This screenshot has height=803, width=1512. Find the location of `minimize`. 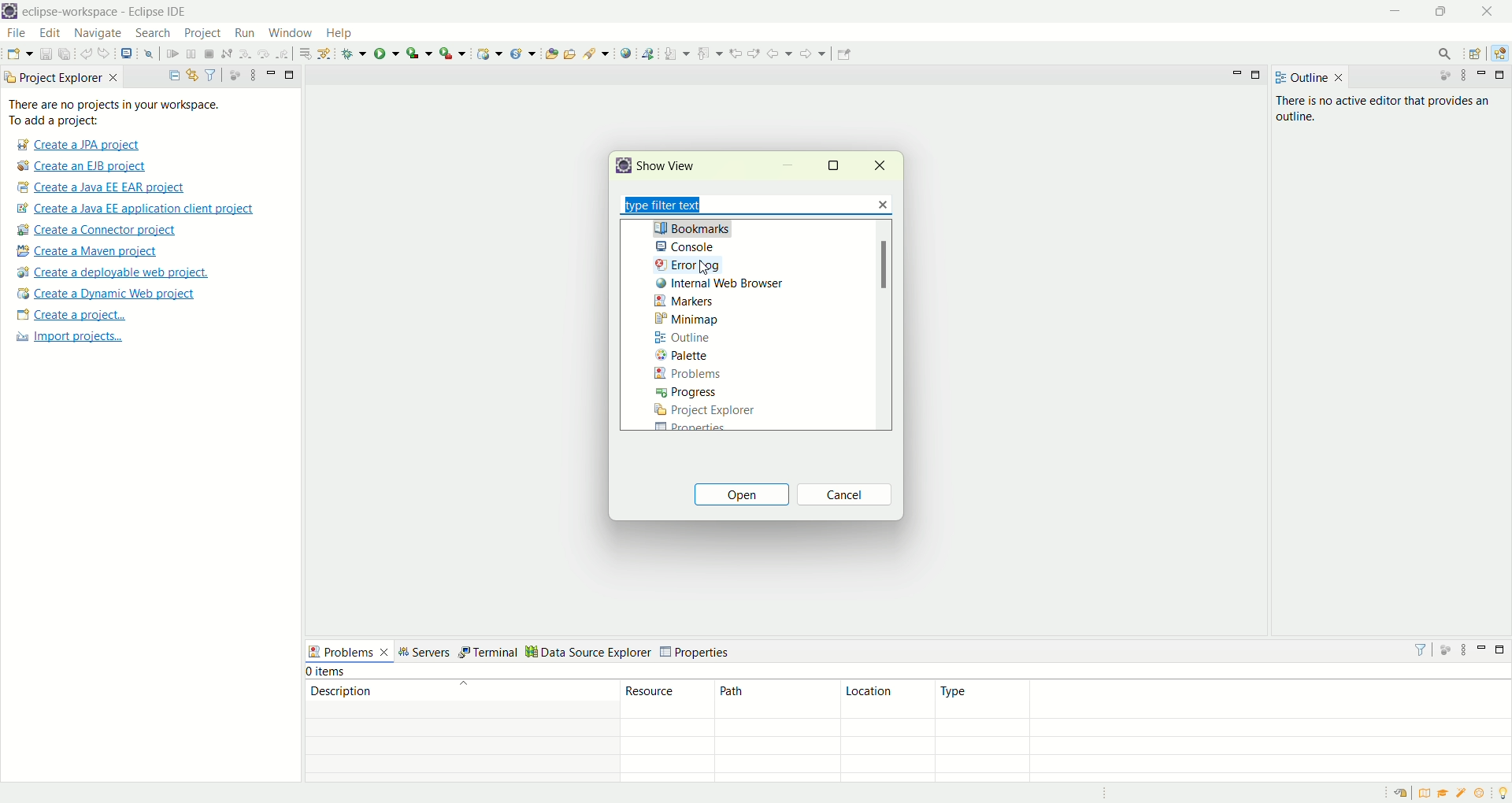

minimize is located at coordinates (269, 73).